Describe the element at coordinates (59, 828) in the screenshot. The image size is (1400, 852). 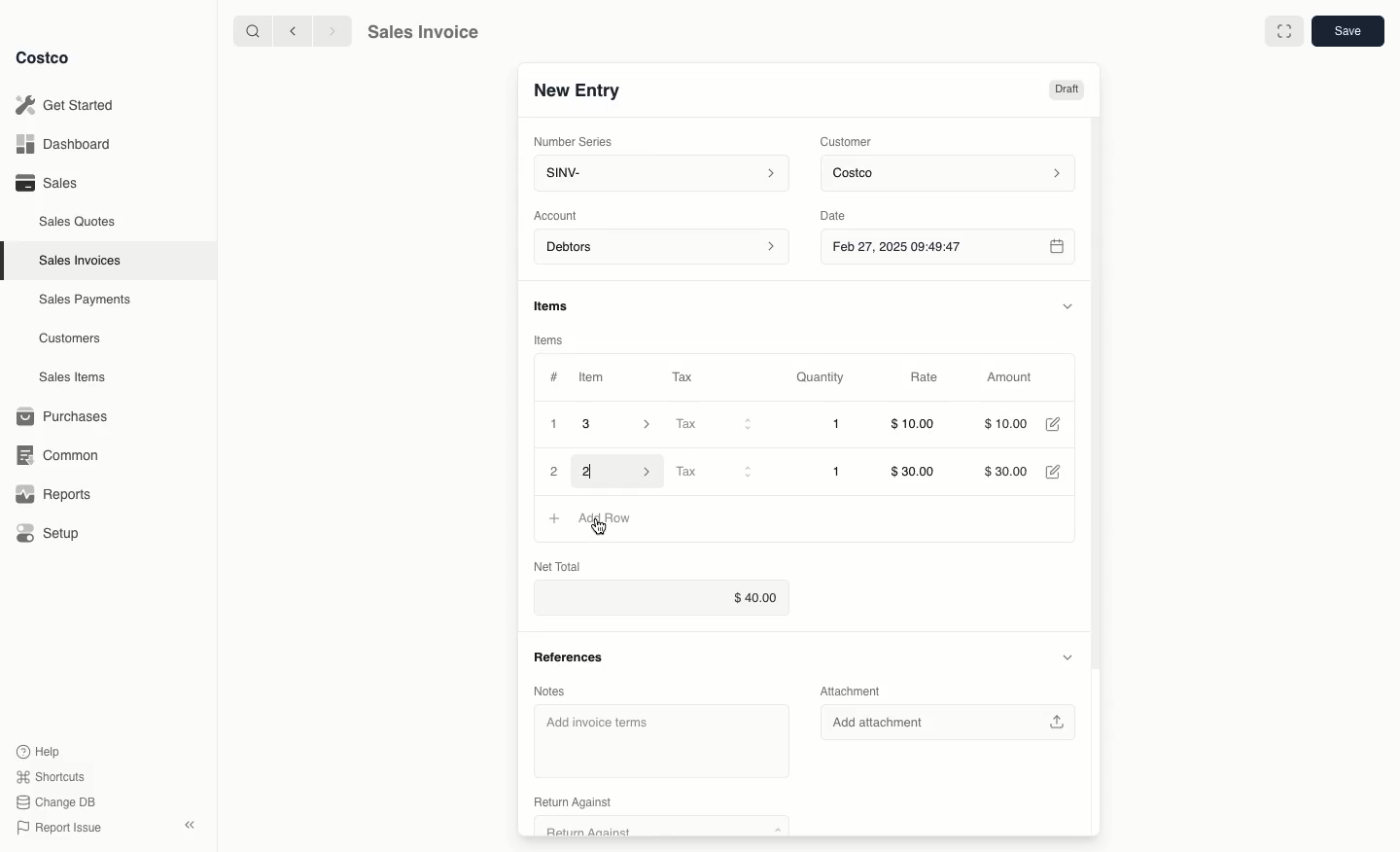
I see `Report Issue` at that location.